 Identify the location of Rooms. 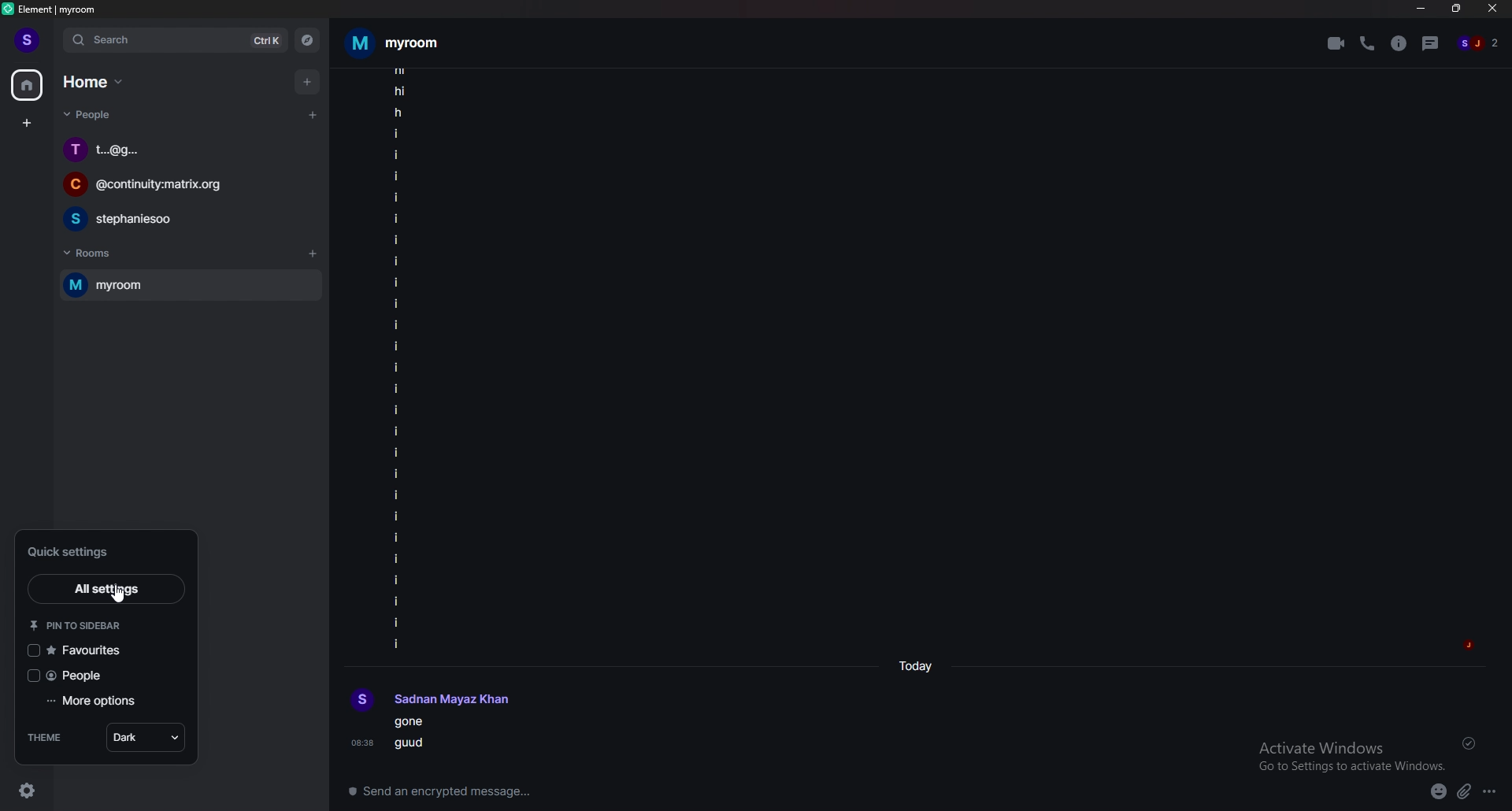
(91, 251).